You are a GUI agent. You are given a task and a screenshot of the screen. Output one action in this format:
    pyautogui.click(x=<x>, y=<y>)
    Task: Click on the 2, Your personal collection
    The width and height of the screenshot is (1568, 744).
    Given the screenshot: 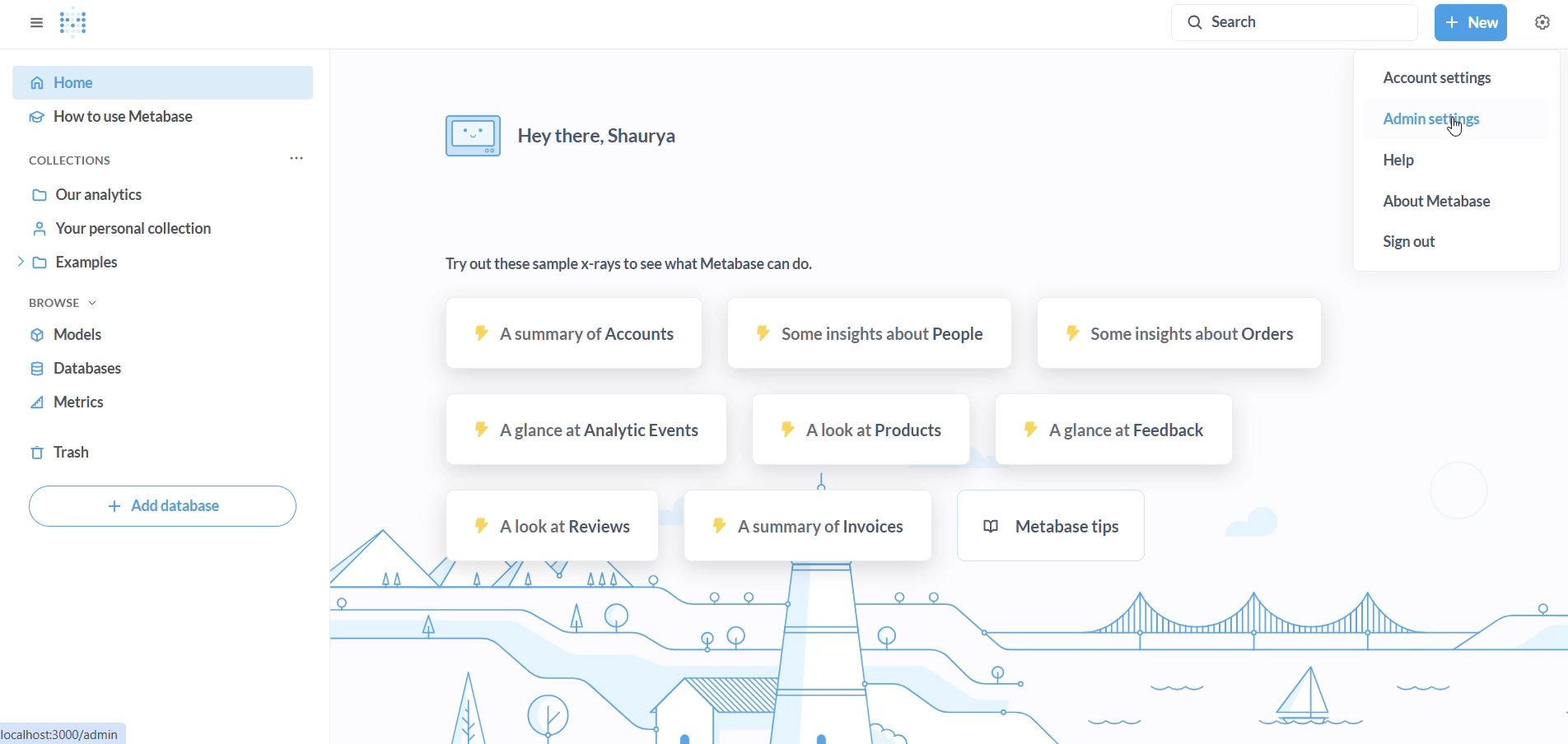 What is the action you would take?
    pyautogui.click(x=121, y=227)
    